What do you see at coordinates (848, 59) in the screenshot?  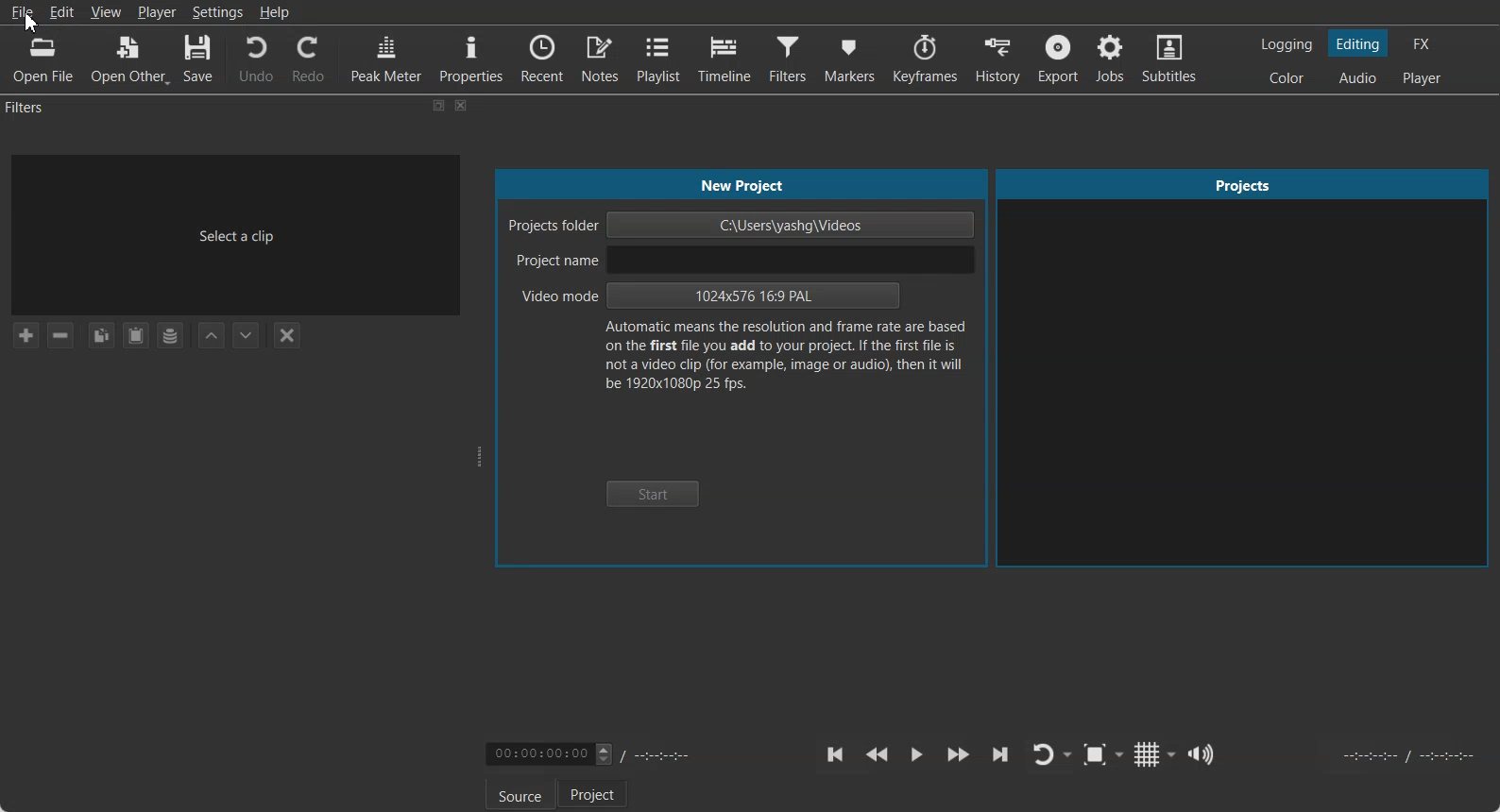 I see `Markers` at bounding box center [848, 59].